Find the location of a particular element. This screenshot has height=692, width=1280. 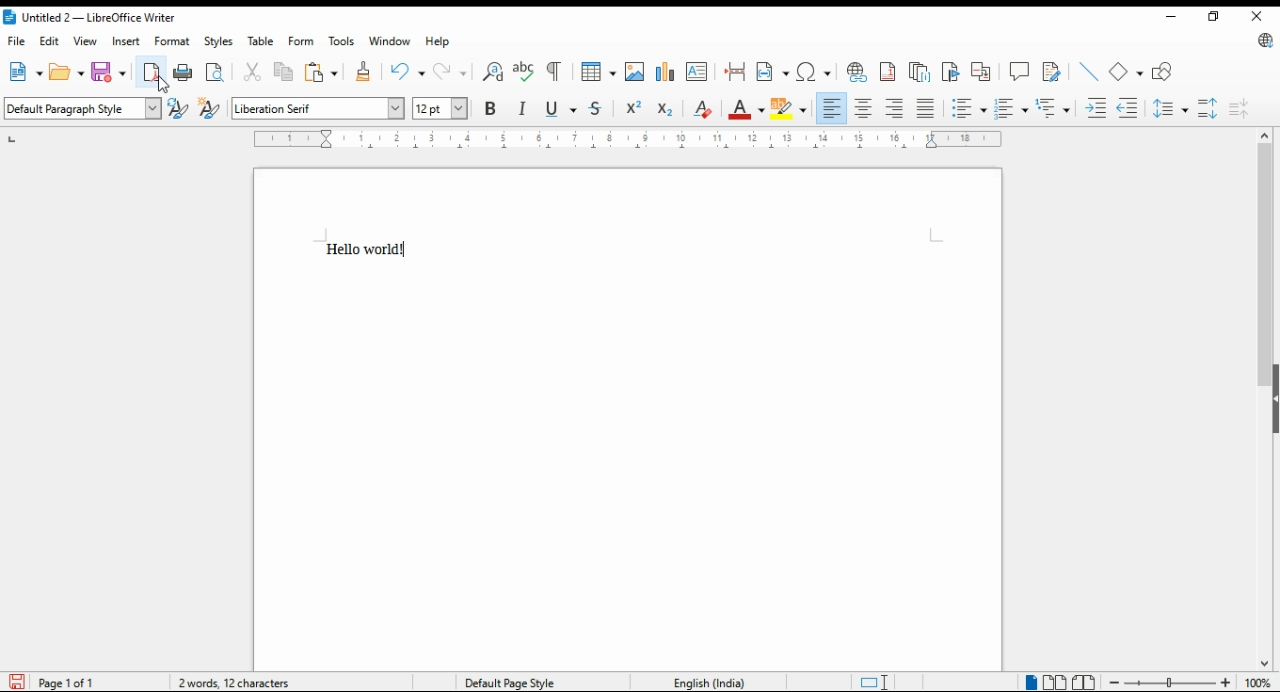

cut is located at coordinates (257, 77).